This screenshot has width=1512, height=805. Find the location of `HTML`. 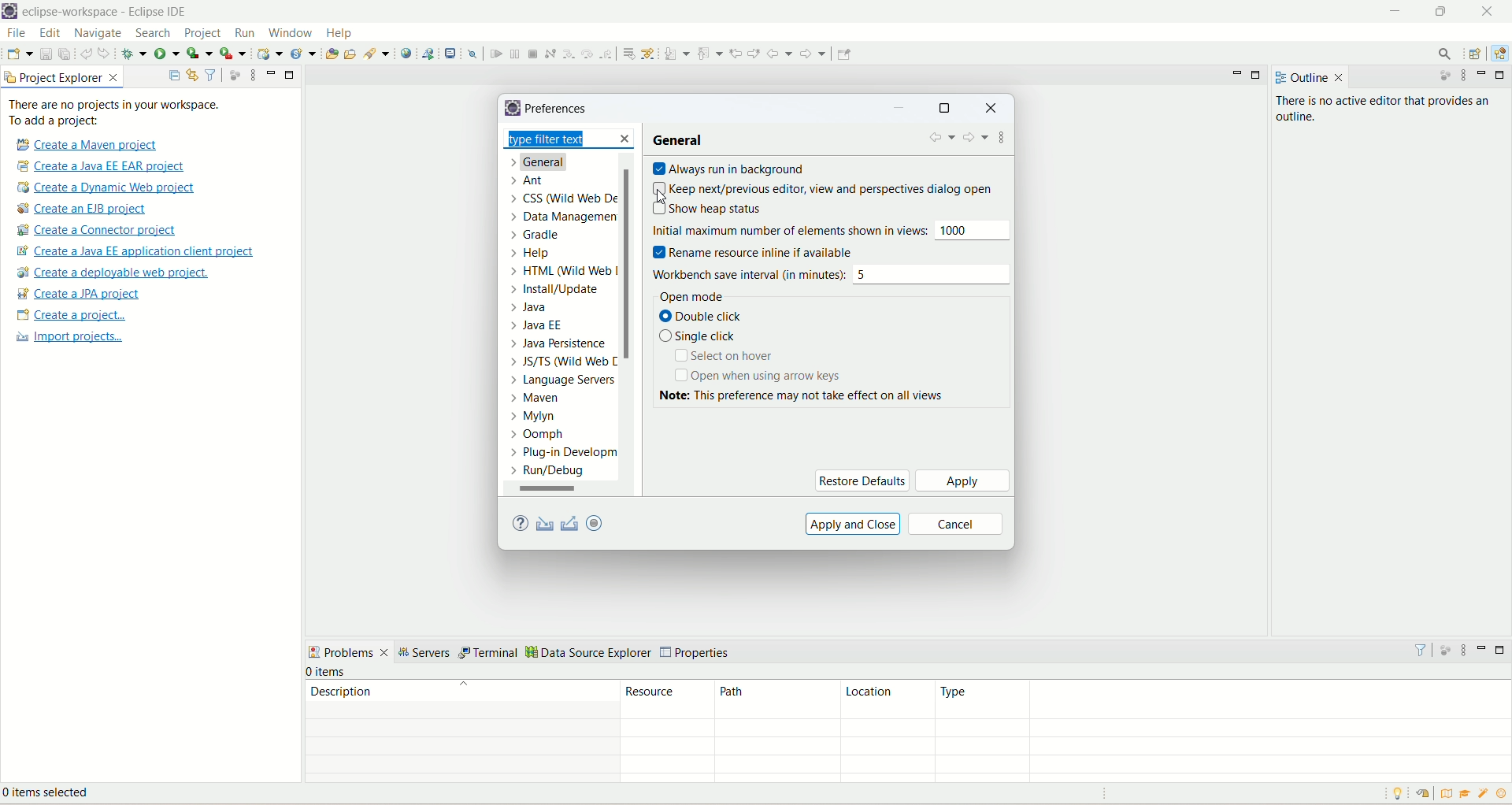

HTML is located at coordinates (565, 273).